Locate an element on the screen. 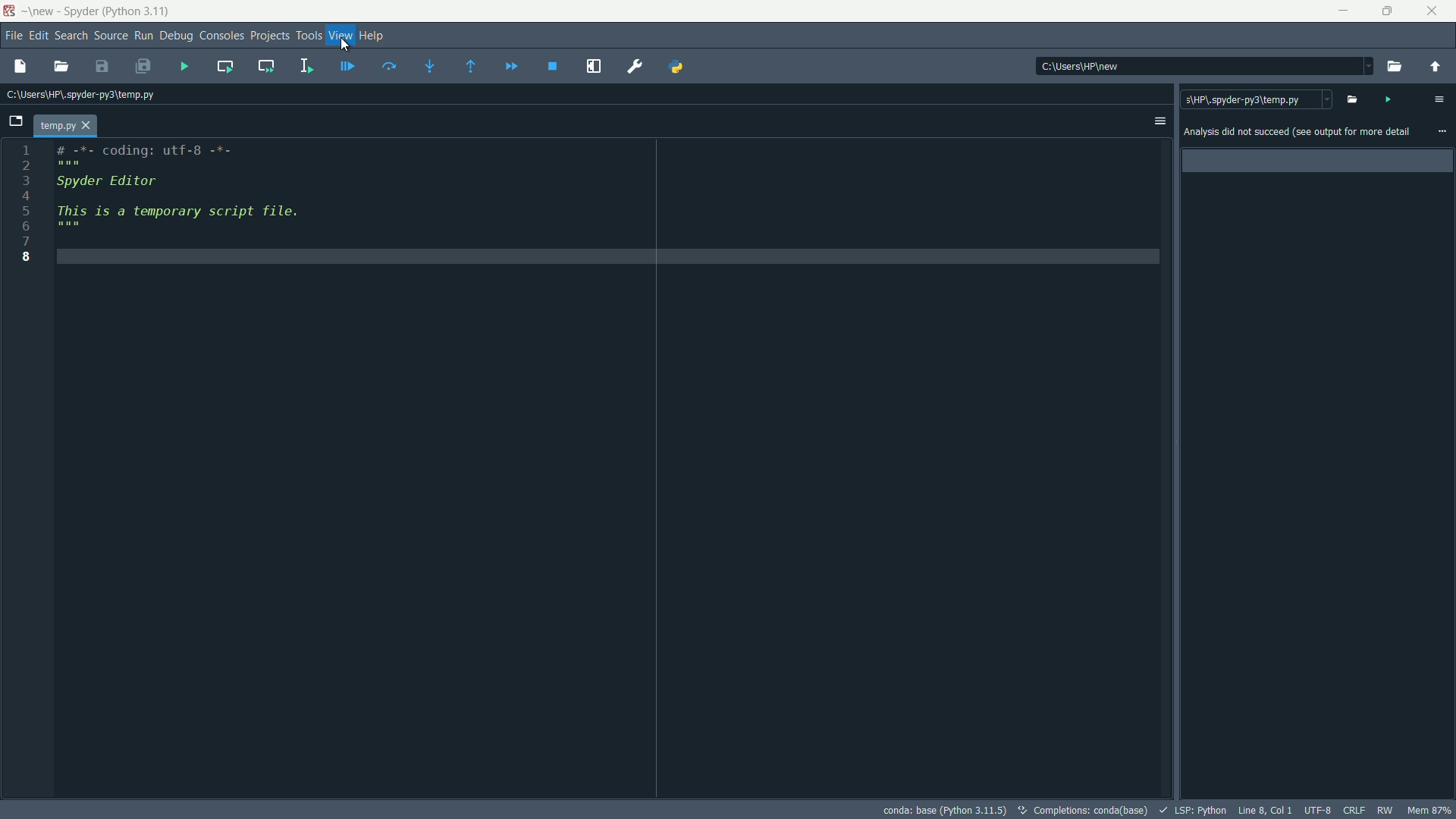 The image size is (1456, 819). file eol status is located at coordinates (1354, 809).